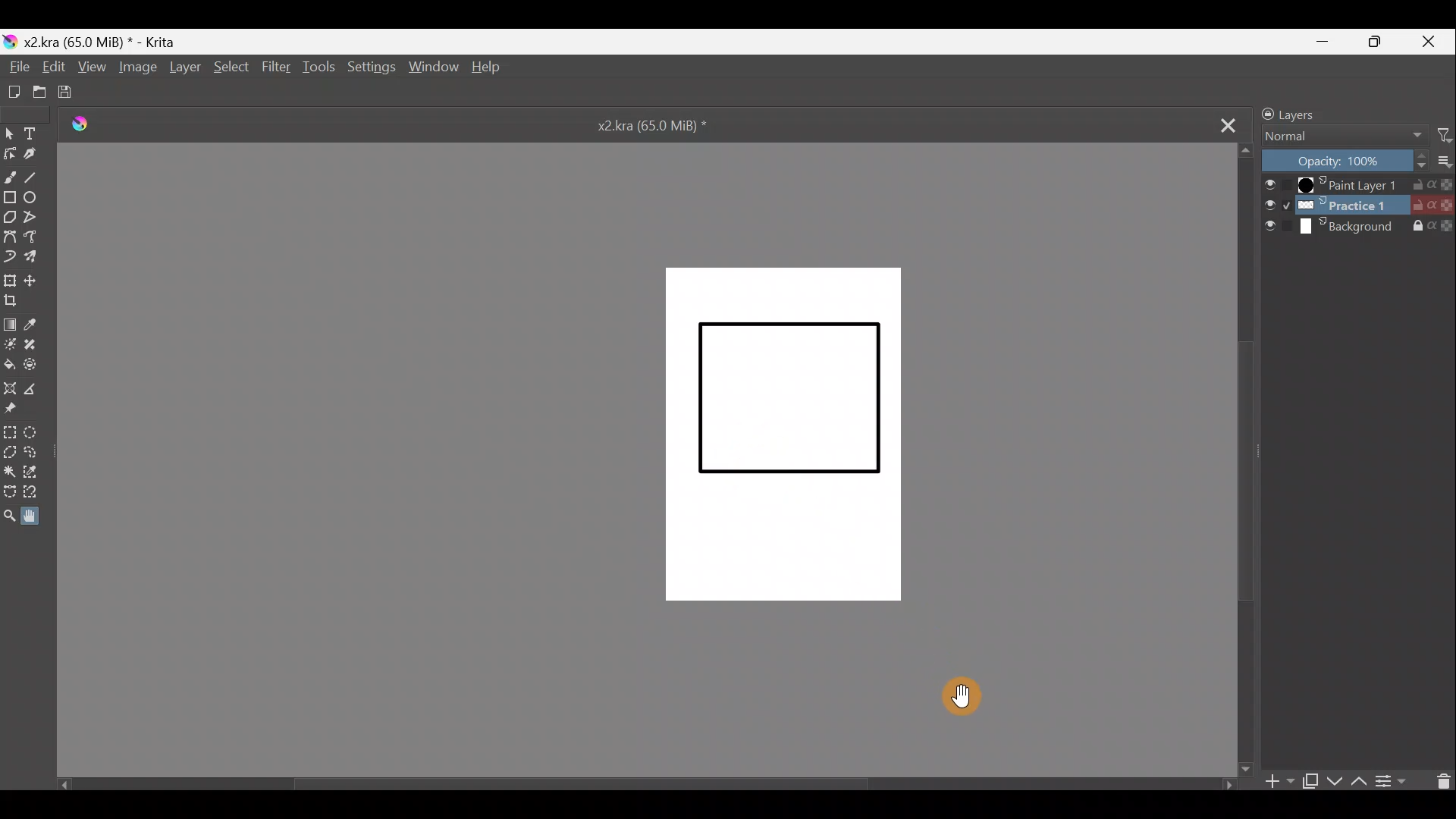  Describe the element at coordinates (9, 235) in the screenshot. I see `Bezier curve tool` at that location.